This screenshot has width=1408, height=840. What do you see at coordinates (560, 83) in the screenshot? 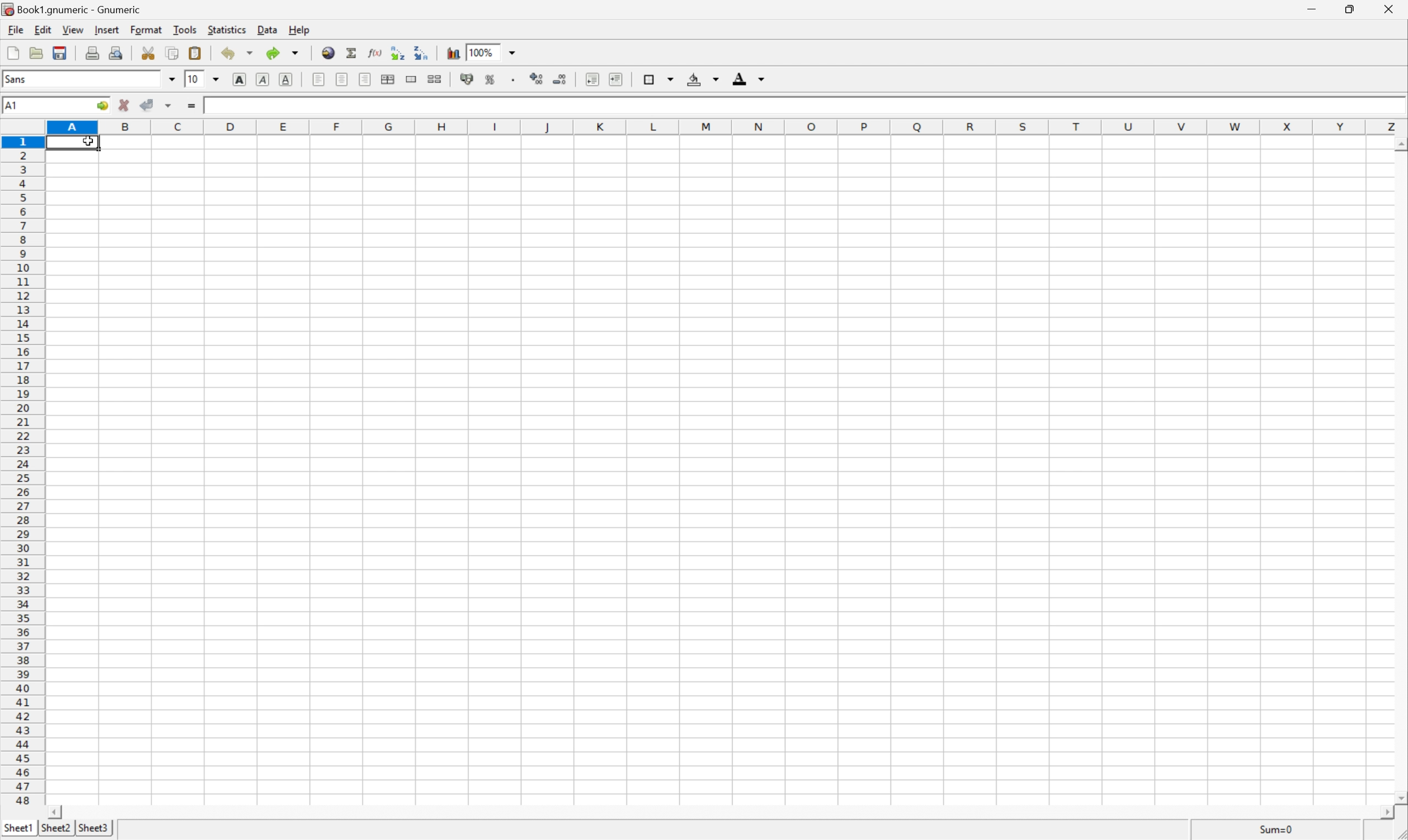
I see `decrease number of decimals displayed` at bounding box center [560, 83].